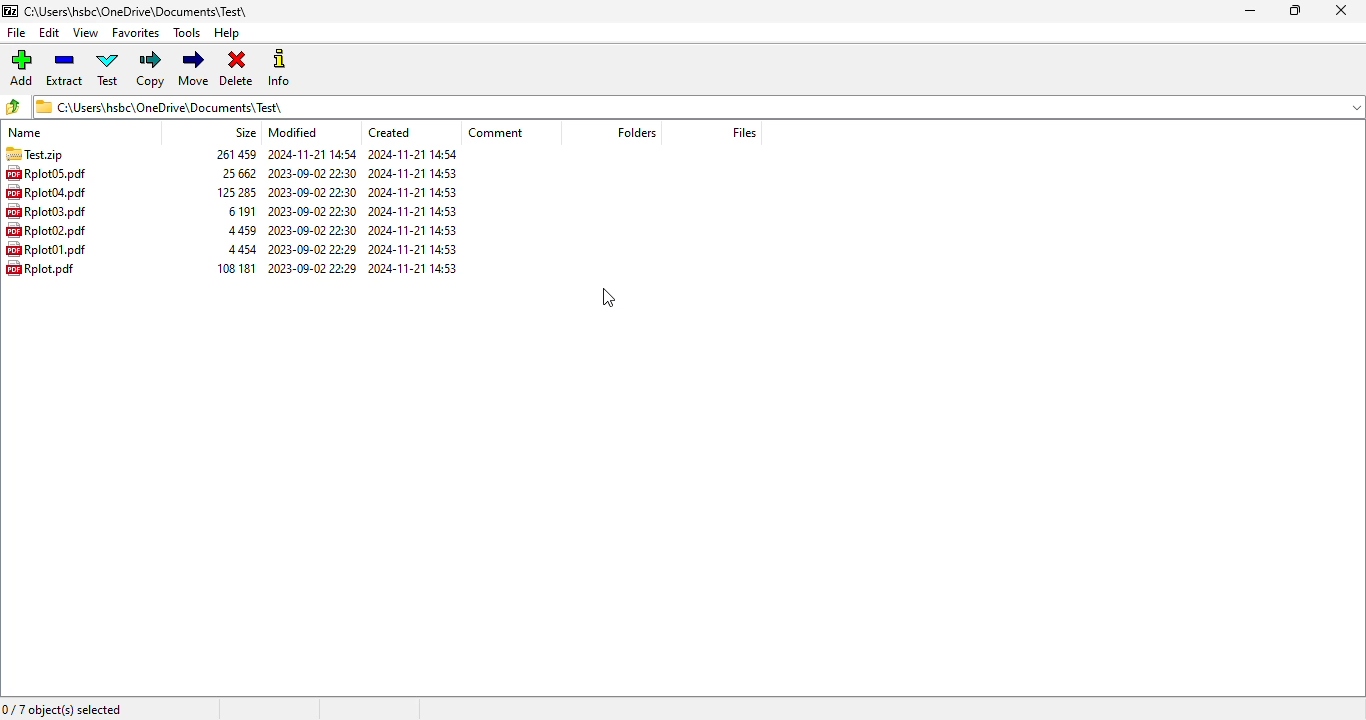 The image size is (1366, 720). What do you see at coordinates (108, 69) in the screenshot?
I see `test` at bounding box center [108, 69].